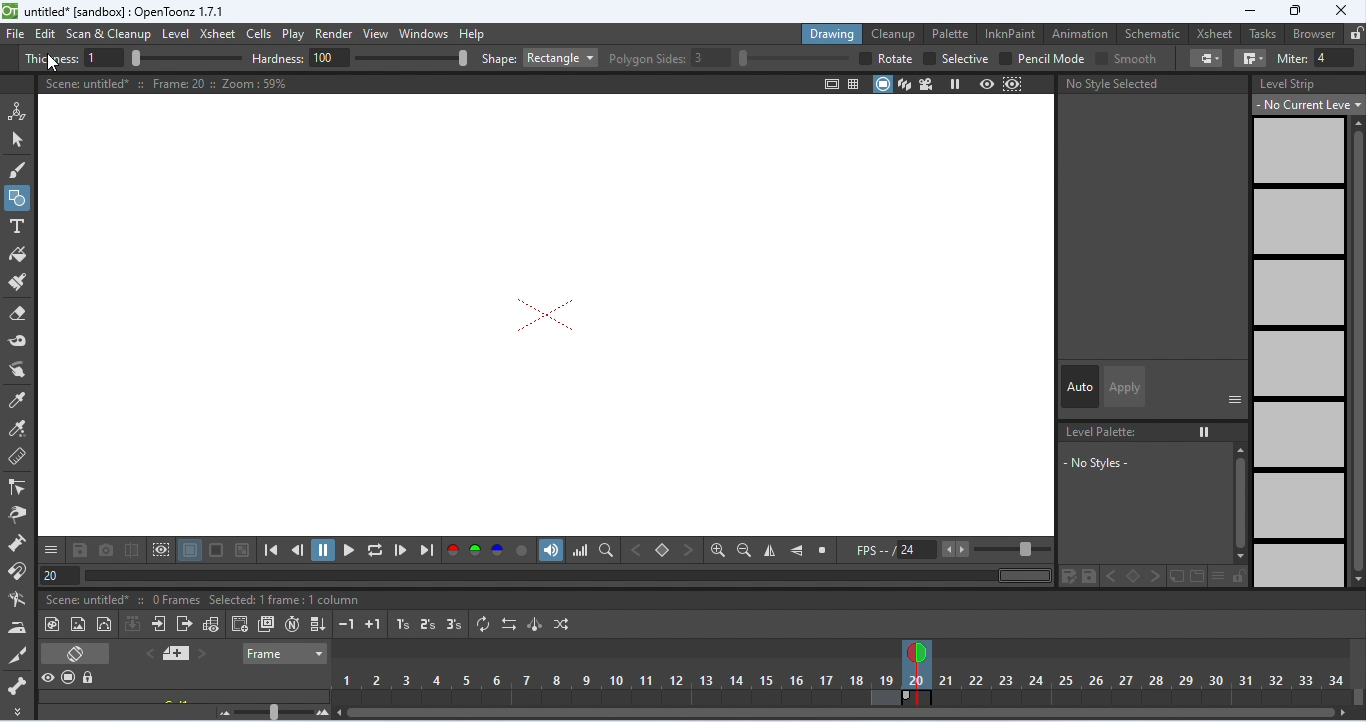  Describe the element at coordinates (893, 35) in the screenshot. I see `clean up` at that location.